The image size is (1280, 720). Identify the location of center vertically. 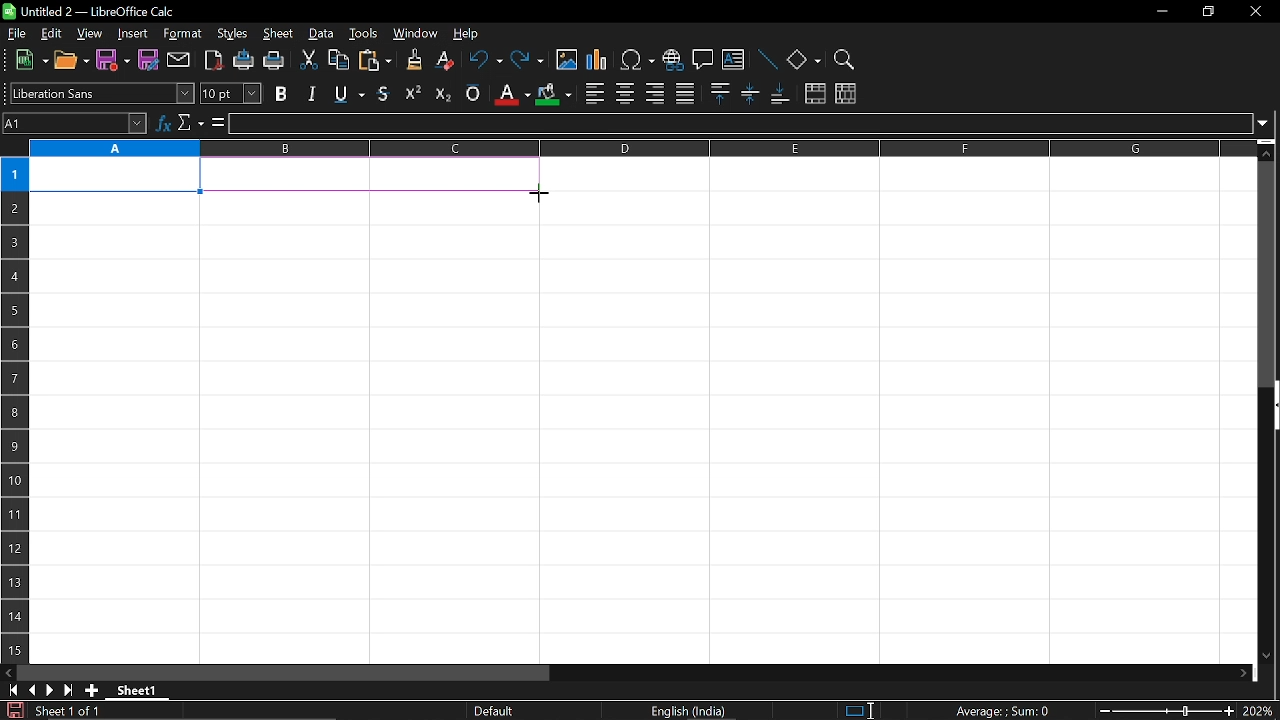
(750, 95).